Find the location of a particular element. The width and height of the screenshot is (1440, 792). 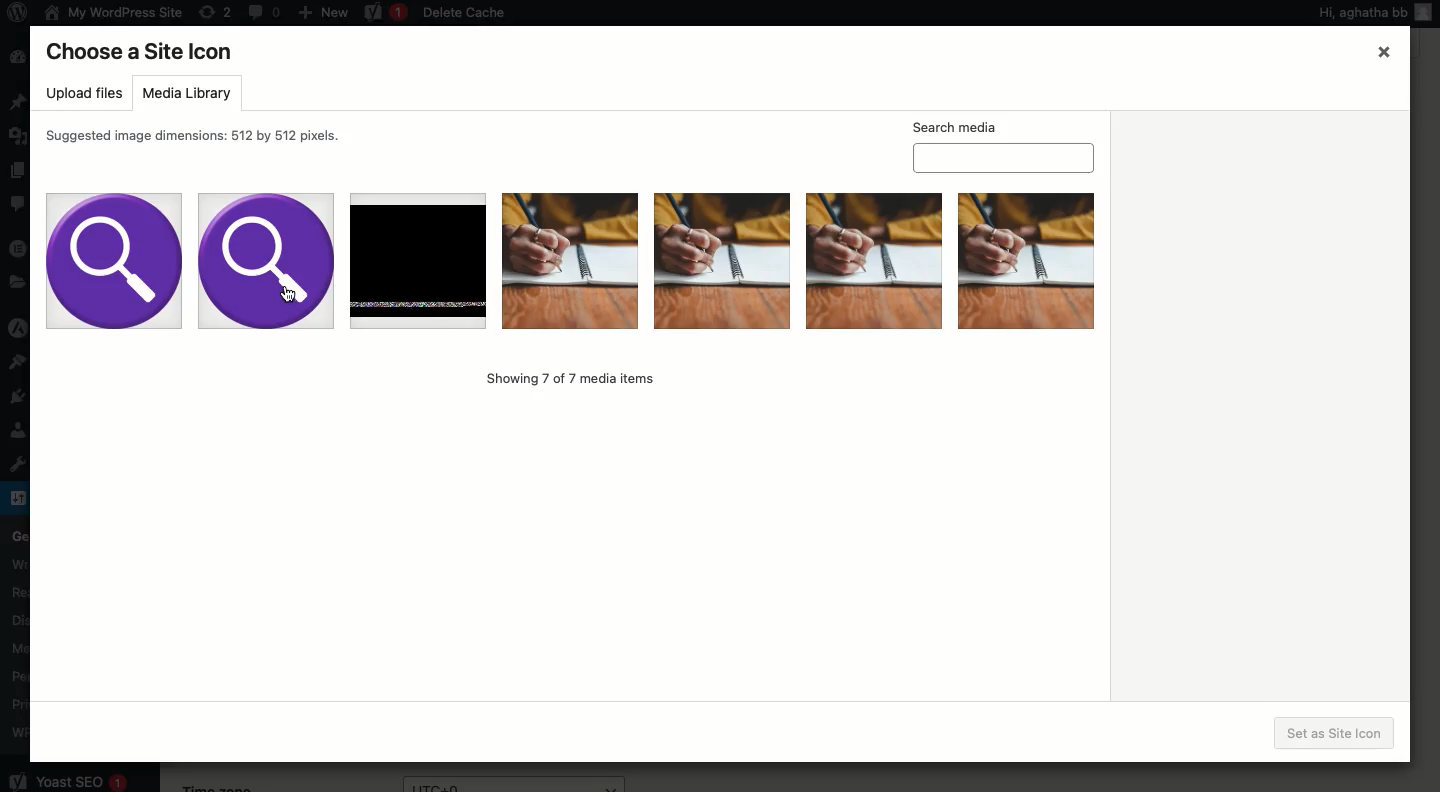

 Yoast SEO 1 is located at coordinates (67, 777).